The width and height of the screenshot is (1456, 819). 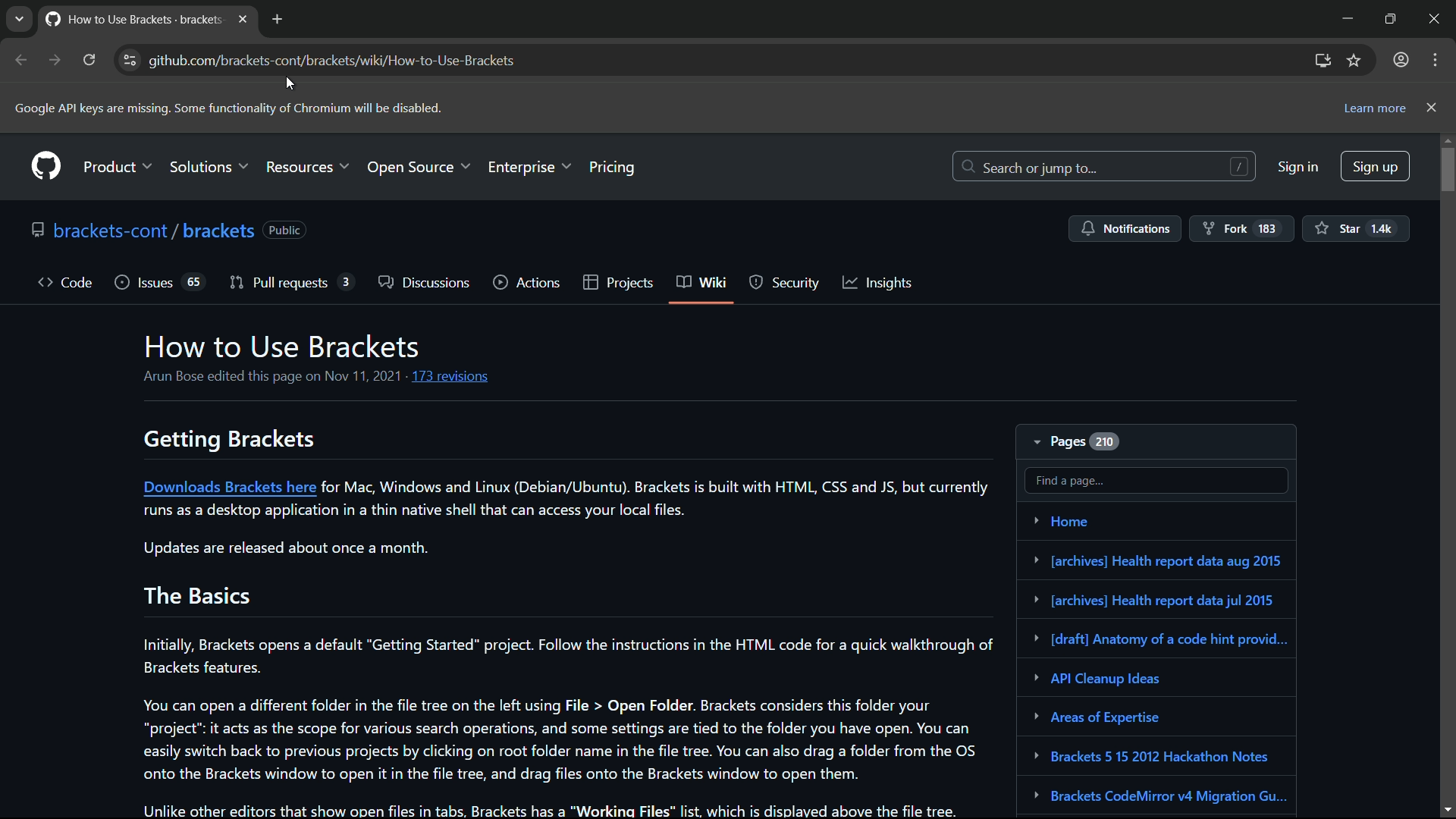 What do you see at coordinates (416, 516) in the screenshot?
I see `runs as a desktop application in a thin native shell that can access your local files.` at bounding box center [416, 516].